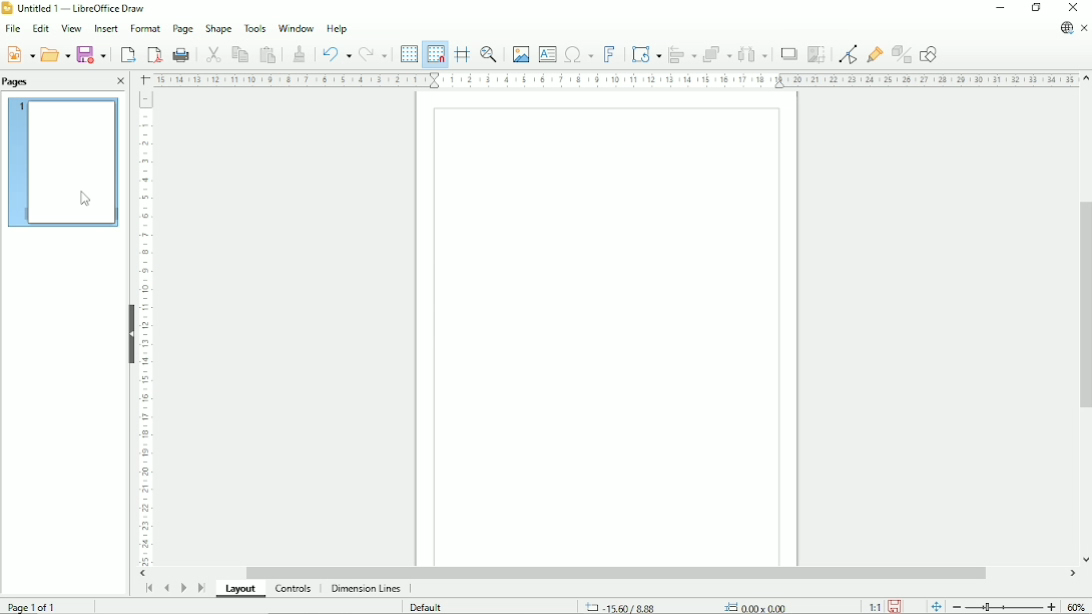 The width and height of the screenshot is (1092, 614). Describe the element at coordinates (753, 55) in the screenshot. I see `Distribute` at that location.